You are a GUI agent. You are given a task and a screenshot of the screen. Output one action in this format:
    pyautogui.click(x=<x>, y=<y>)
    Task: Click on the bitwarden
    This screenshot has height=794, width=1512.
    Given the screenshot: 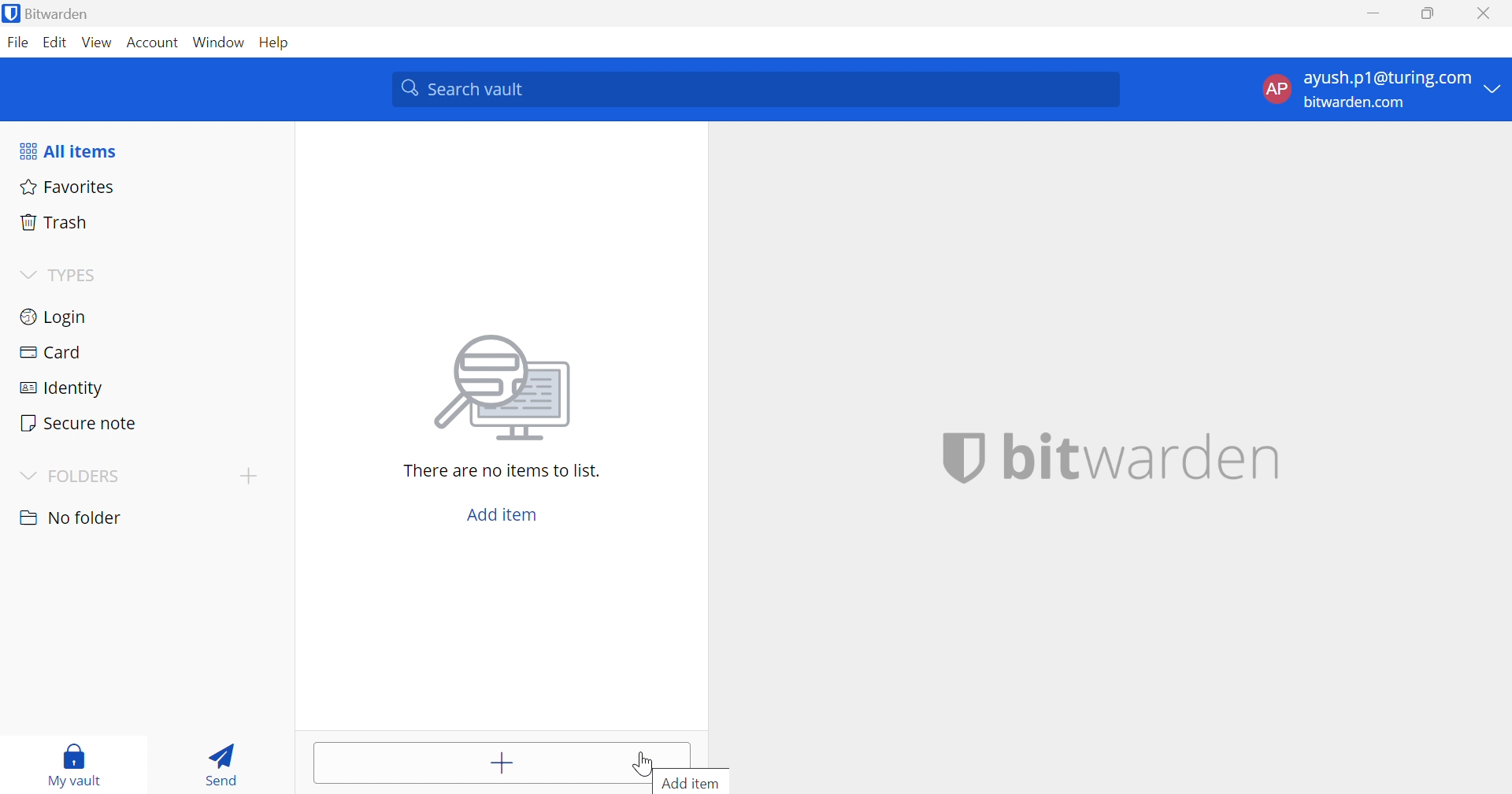 What is the action you would take?
    pyautogui.click(x=1111, y=458)
    